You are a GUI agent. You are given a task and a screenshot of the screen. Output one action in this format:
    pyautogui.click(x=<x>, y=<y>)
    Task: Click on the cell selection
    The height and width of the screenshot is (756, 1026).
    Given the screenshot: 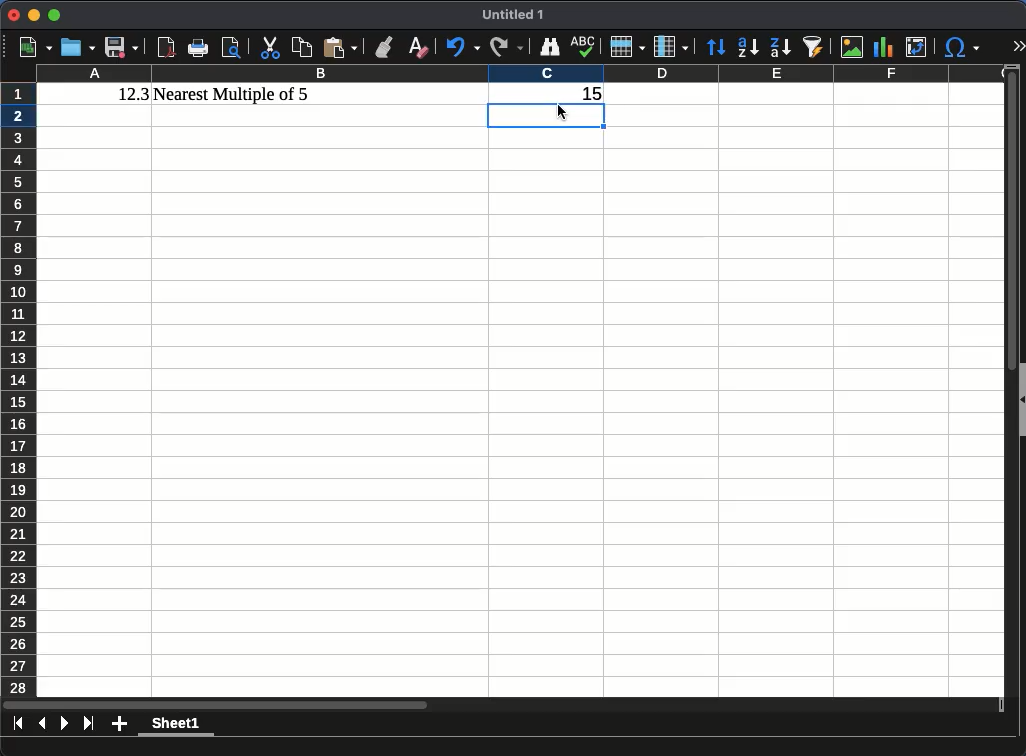 What is the action you would take?
    pyautogui.click(x=548, y=117)
    